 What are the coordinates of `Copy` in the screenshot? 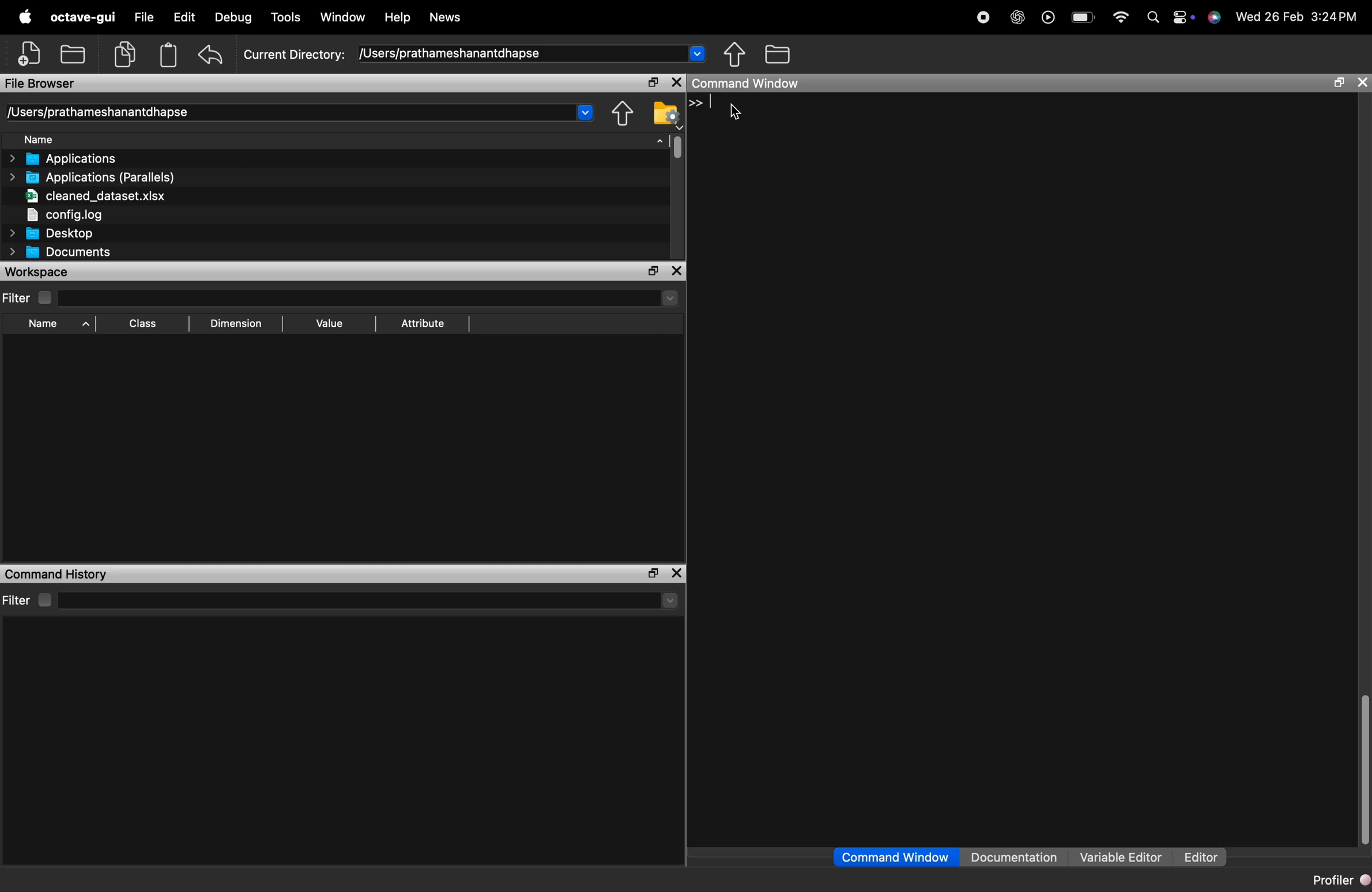 It's located at (126, 53).